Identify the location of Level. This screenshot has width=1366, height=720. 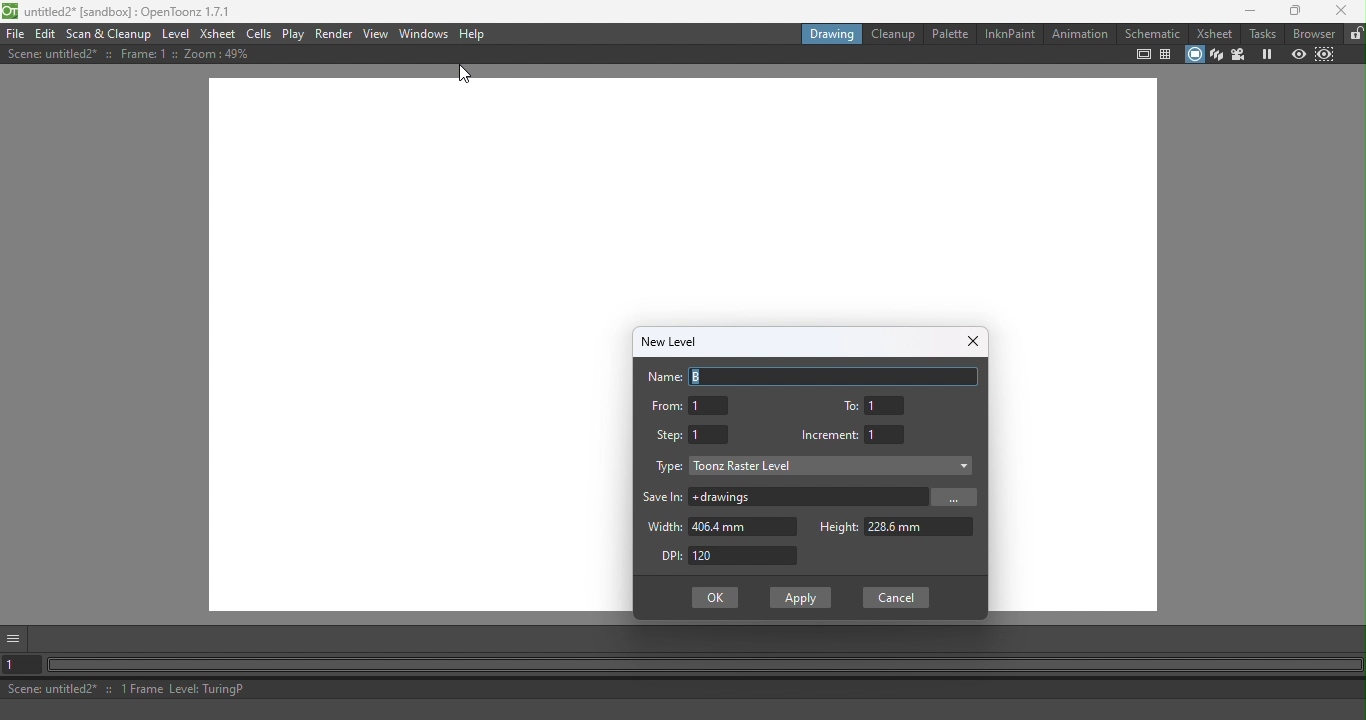
(174, 34).